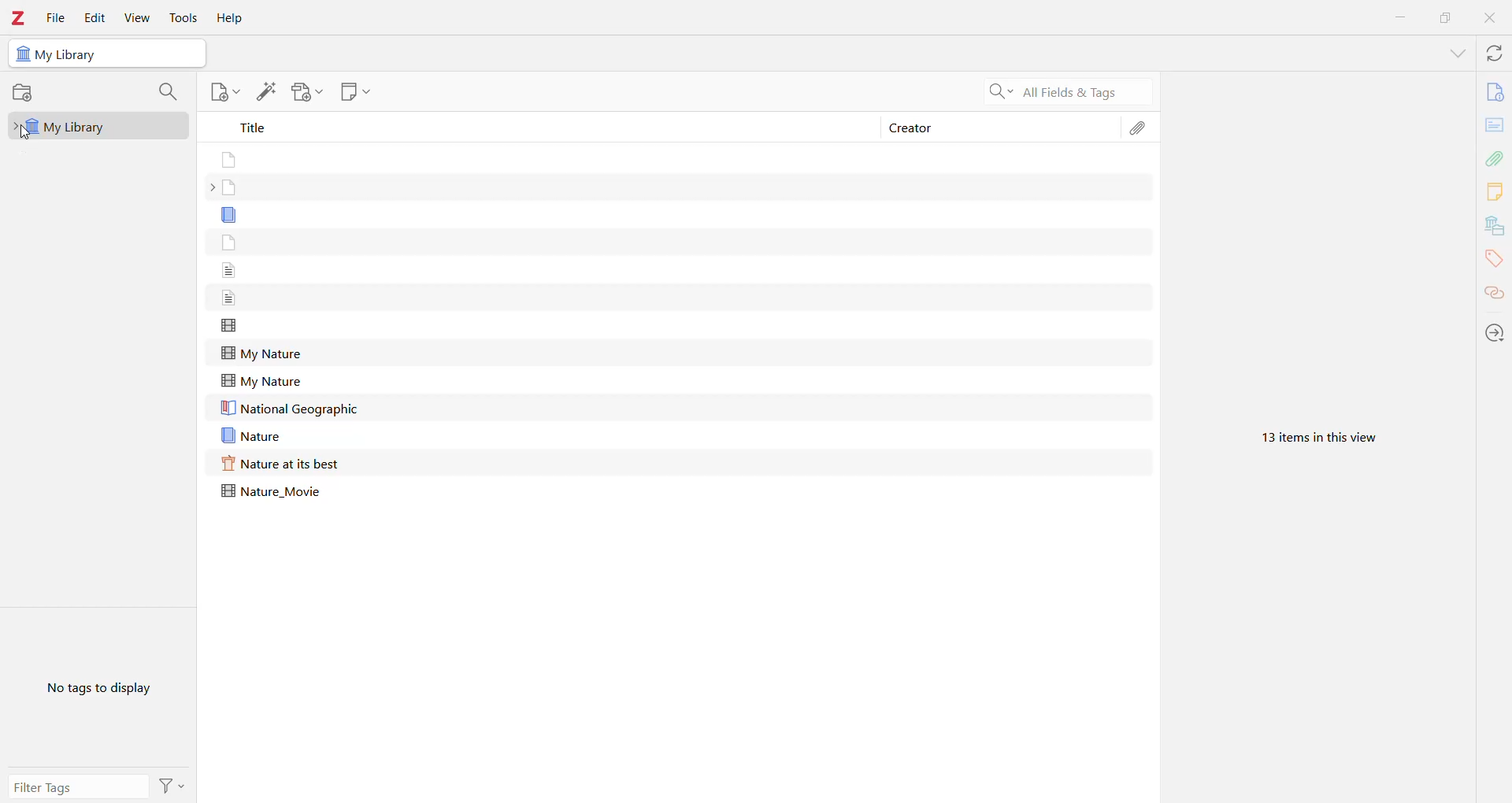 The width and height of the screenshot is (1512, 803). Describe the element at coordinates (308, 94) in the screenshot. I see `Add Attachment` at that location.